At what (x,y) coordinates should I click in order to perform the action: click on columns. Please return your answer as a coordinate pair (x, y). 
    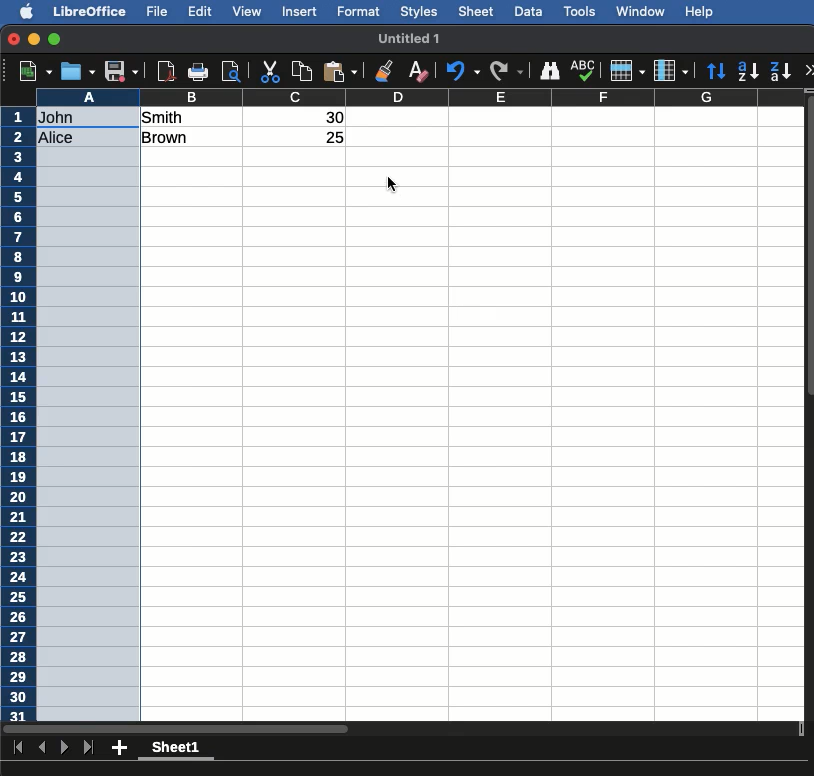
    Looking at the image, I should click on (470, 98).